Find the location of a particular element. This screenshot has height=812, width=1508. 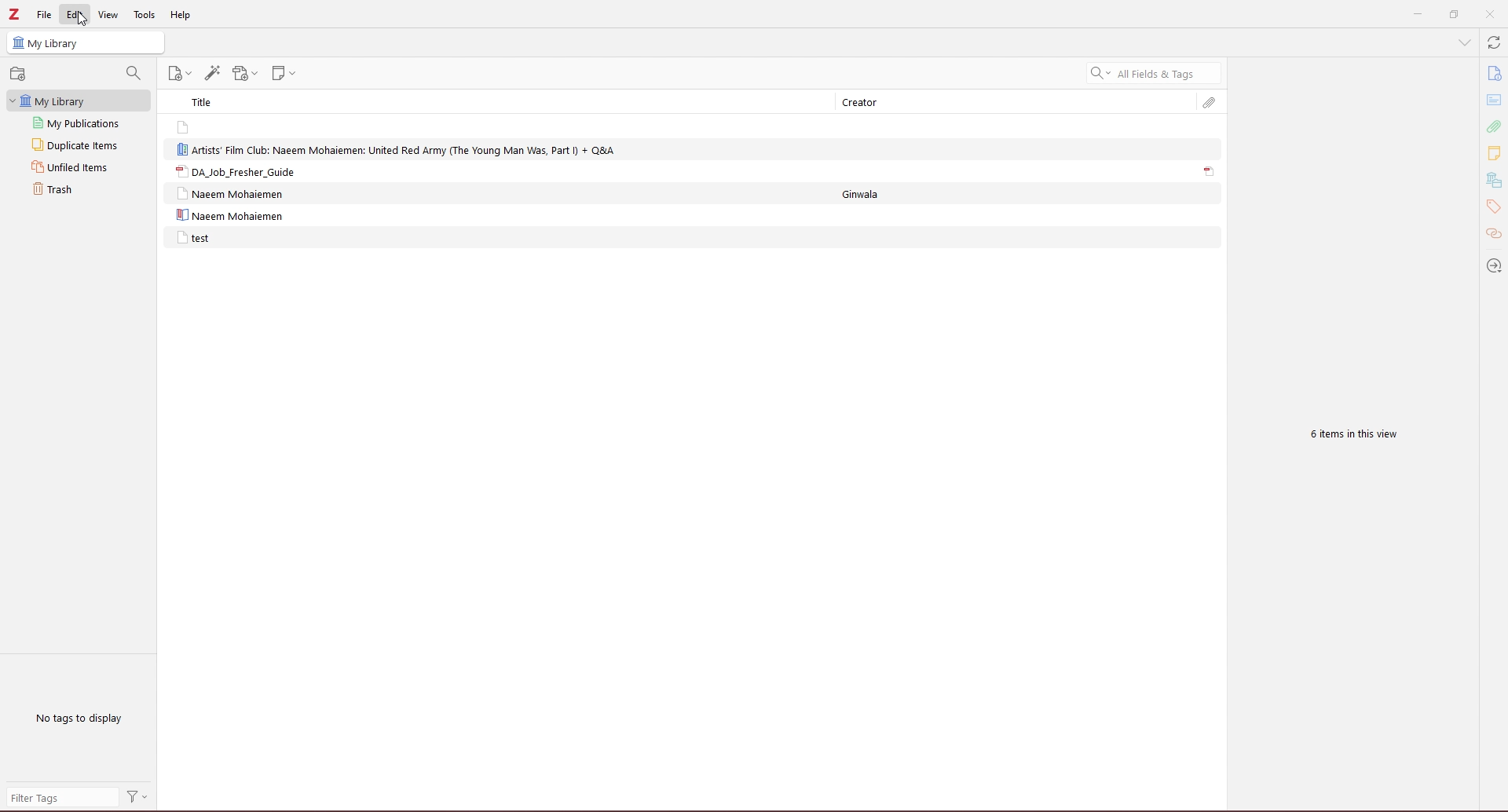

edit is located at coordinates (75, 14).